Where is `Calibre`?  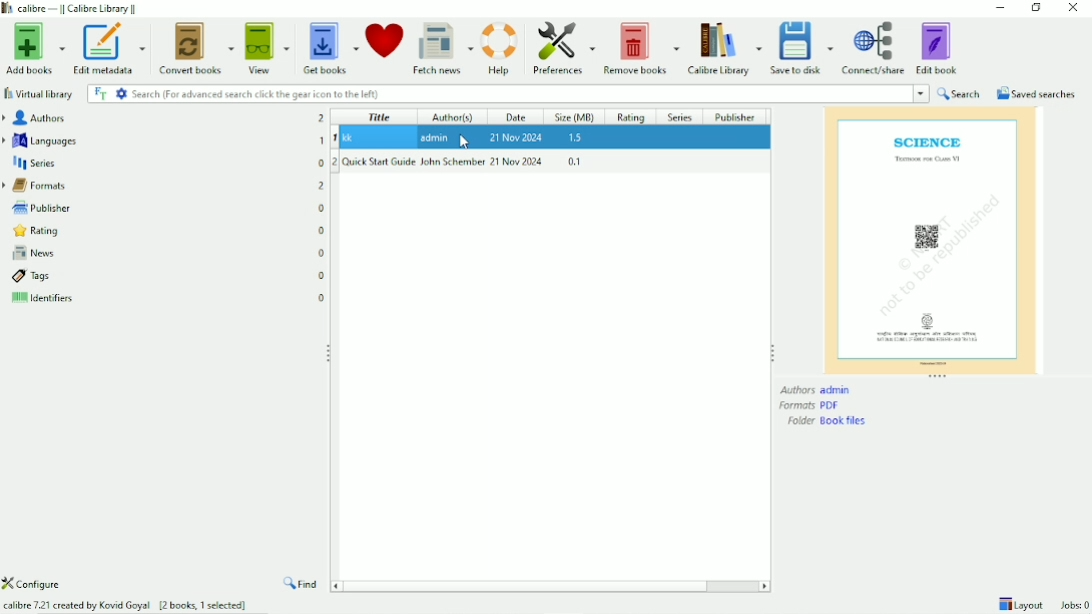 Calibre is located at coordinates (724, 49).